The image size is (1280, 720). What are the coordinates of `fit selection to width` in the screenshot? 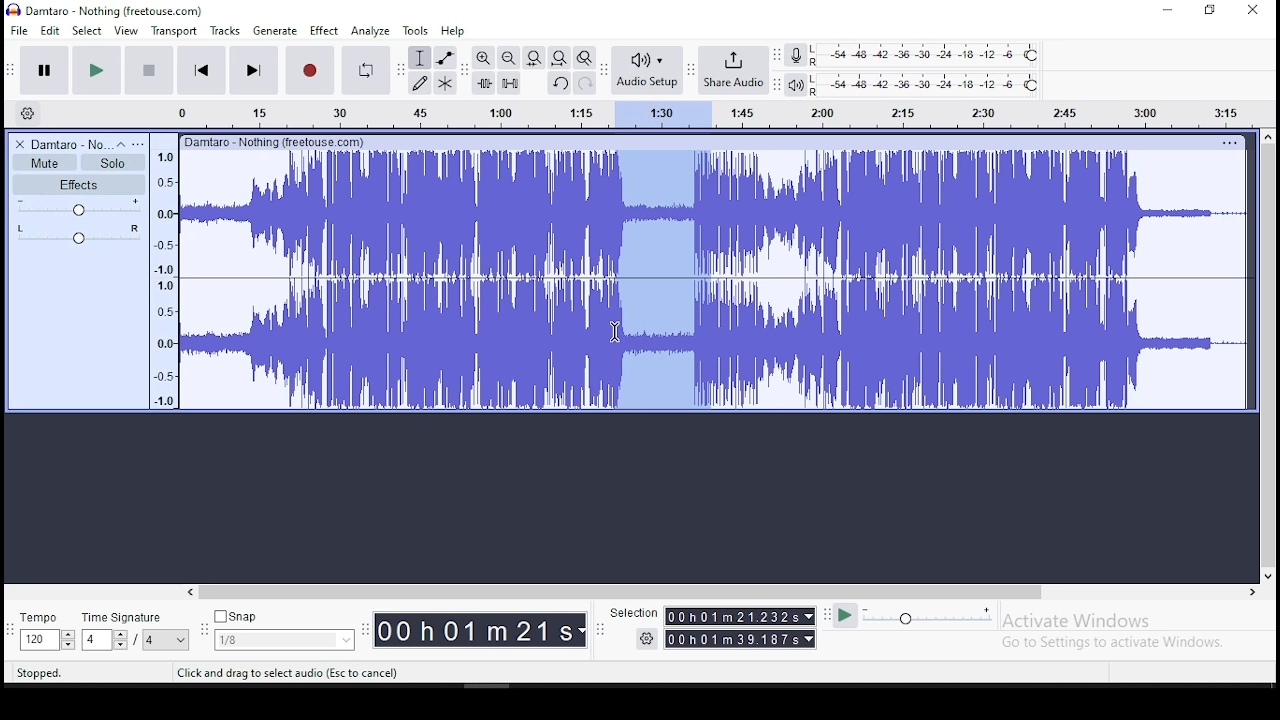 It's located at (533, 56).